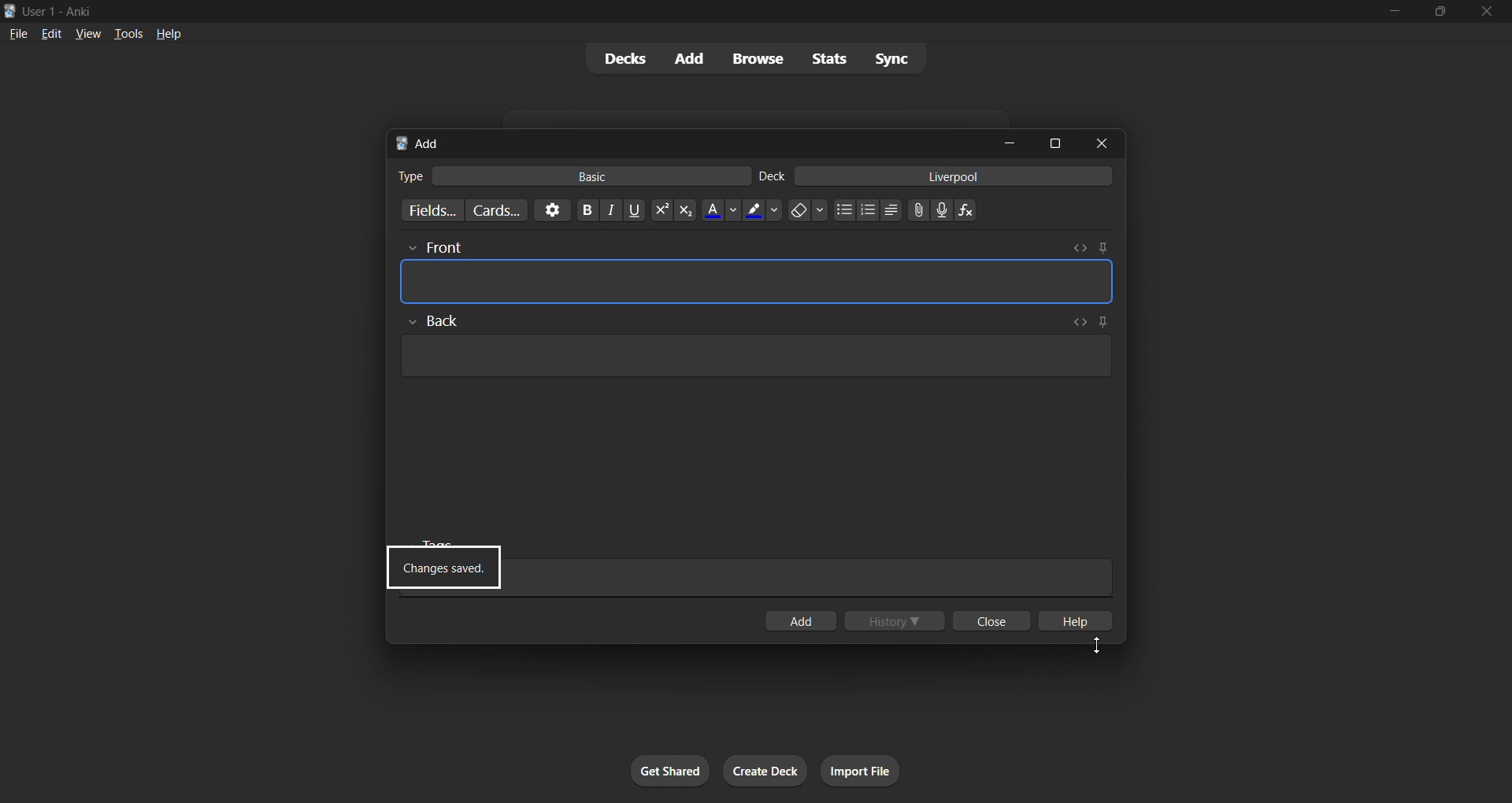  I want to click on eraser, so click(805, 209).